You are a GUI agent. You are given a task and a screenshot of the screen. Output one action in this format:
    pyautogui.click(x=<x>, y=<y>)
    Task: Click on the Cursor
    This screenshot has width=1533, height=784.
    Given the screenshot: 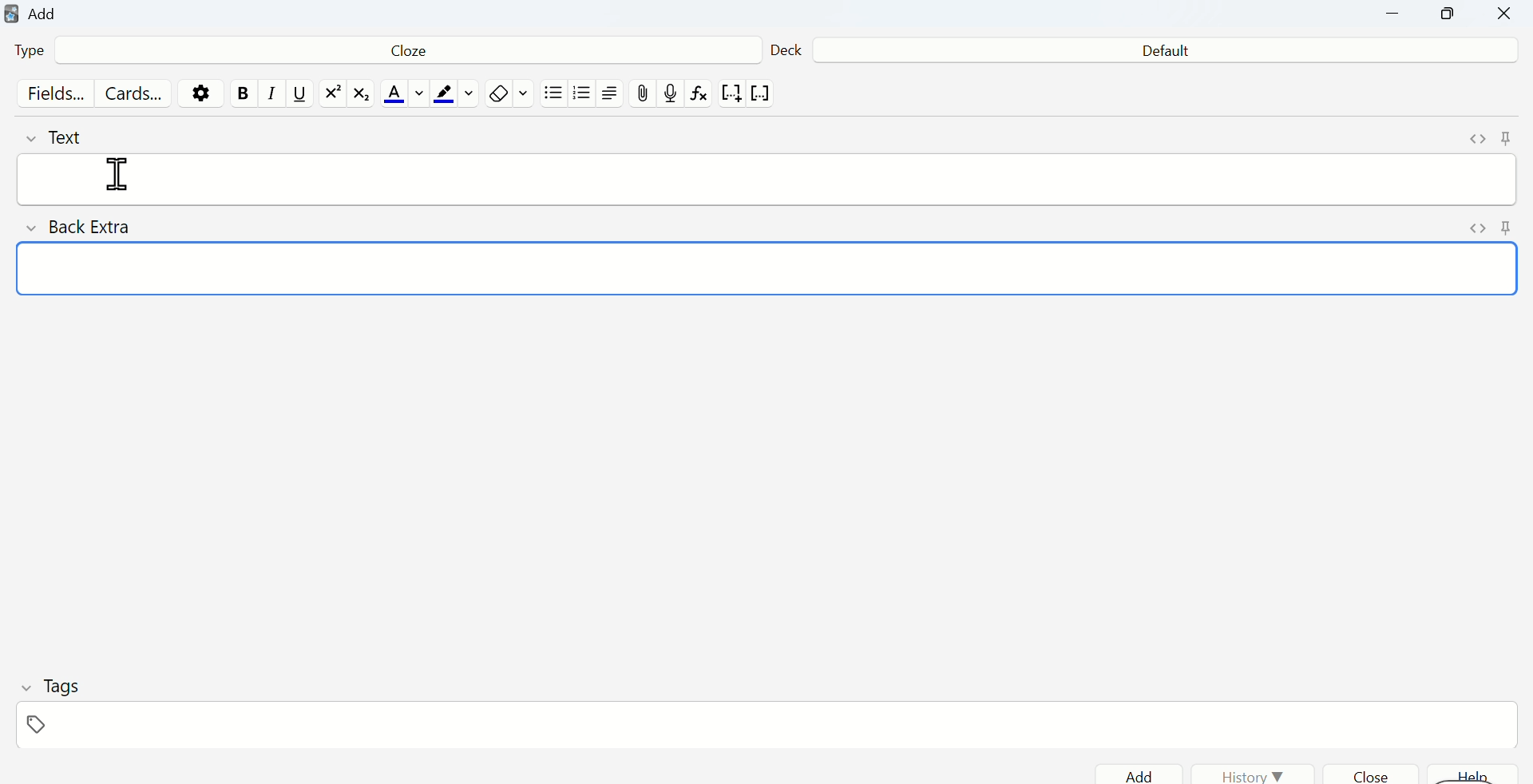 What is the action you would take?
    pyautogui.click(x=124, y=173)
    